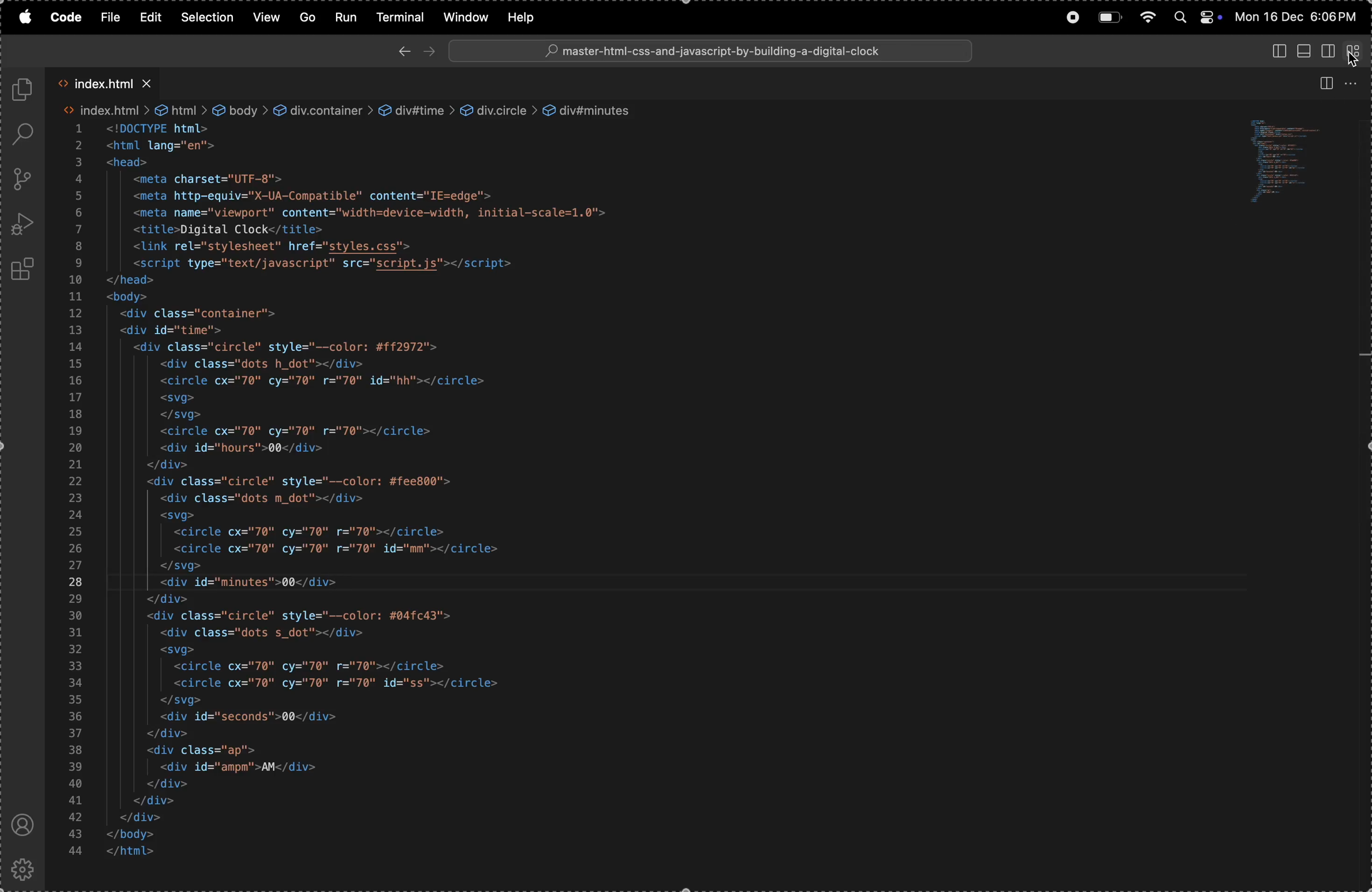  I want to click on date and time, so click(1299, 18).